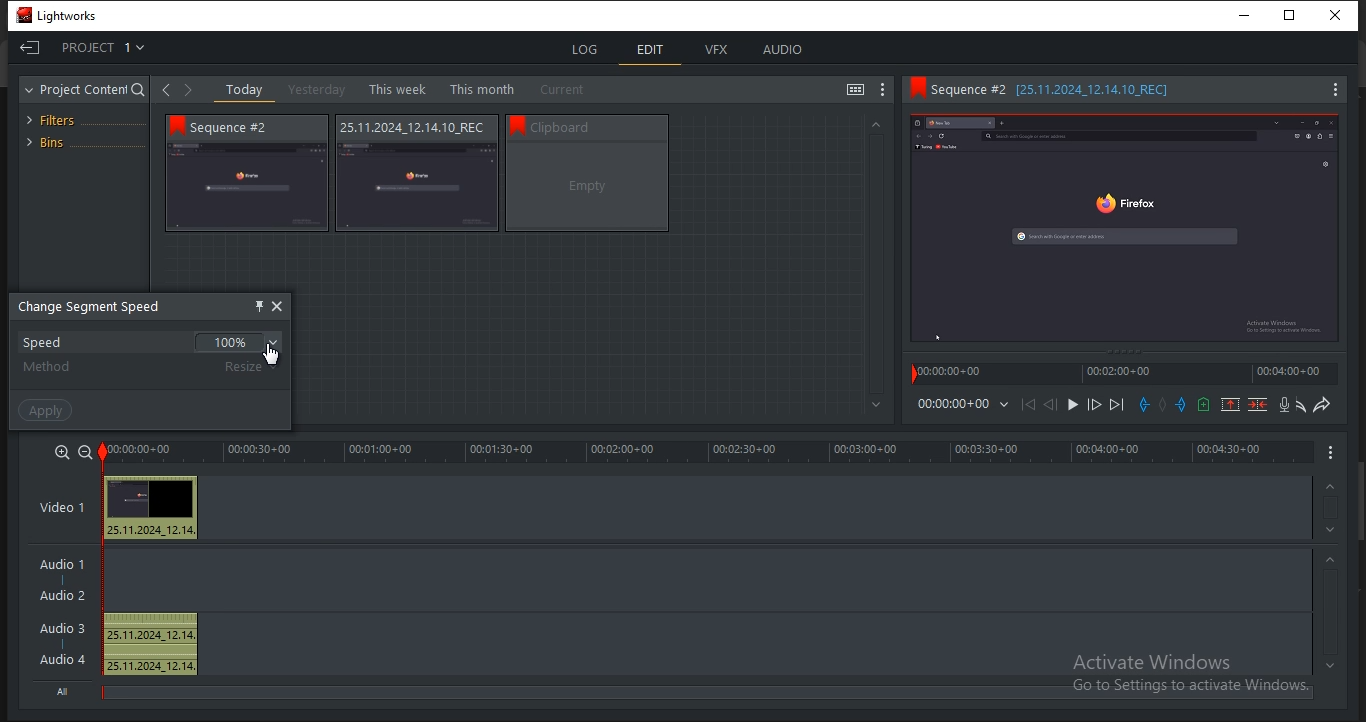 The width and height of the screenshot is (1366, 722). I want to click on timeline navigation up arrow, so click(1330, 559).